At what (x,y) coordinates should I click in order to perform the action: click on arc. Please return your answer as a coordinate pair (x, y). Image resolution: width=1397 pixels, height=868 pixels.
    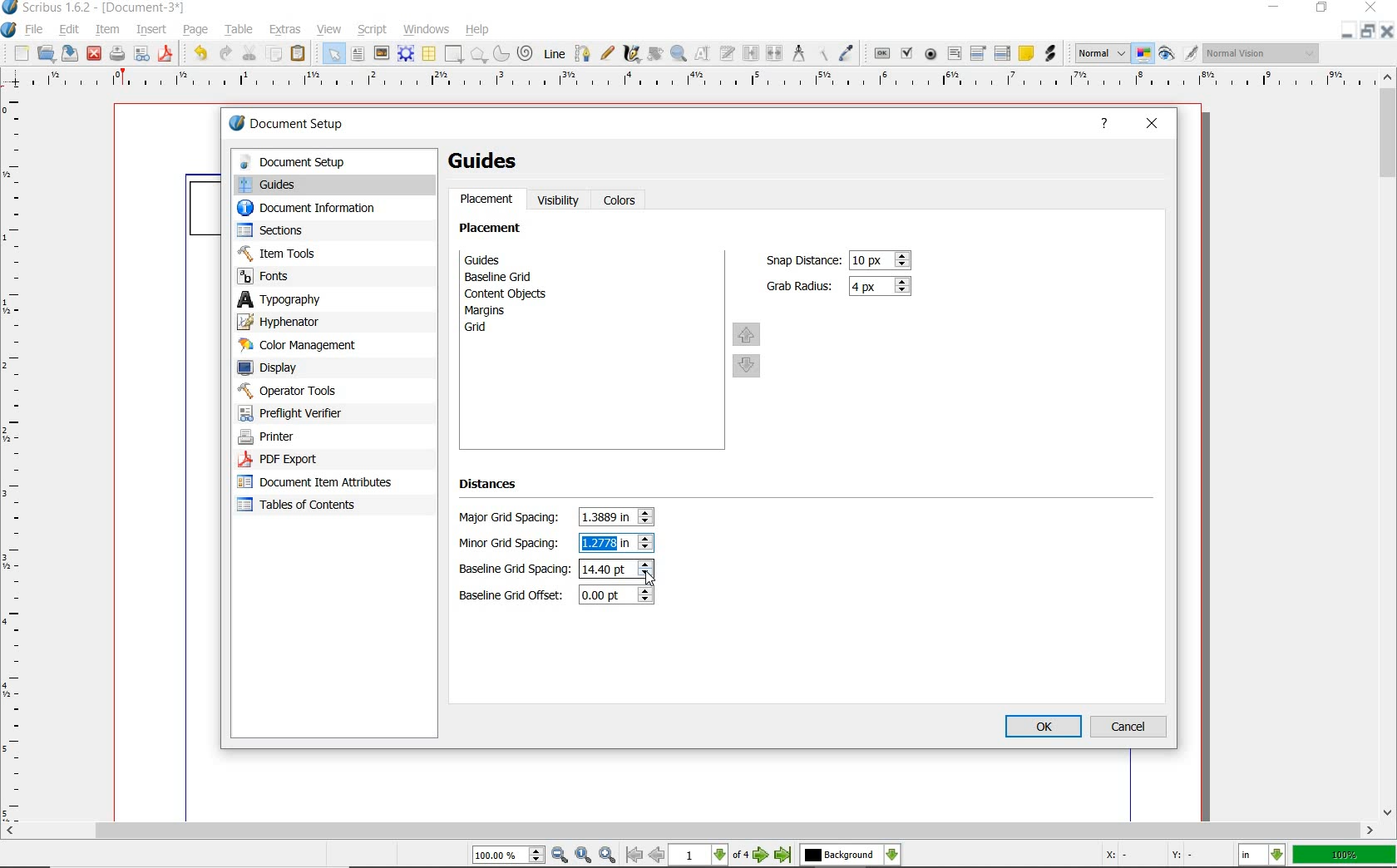
    Looking at the image, I should click on (500, 55).